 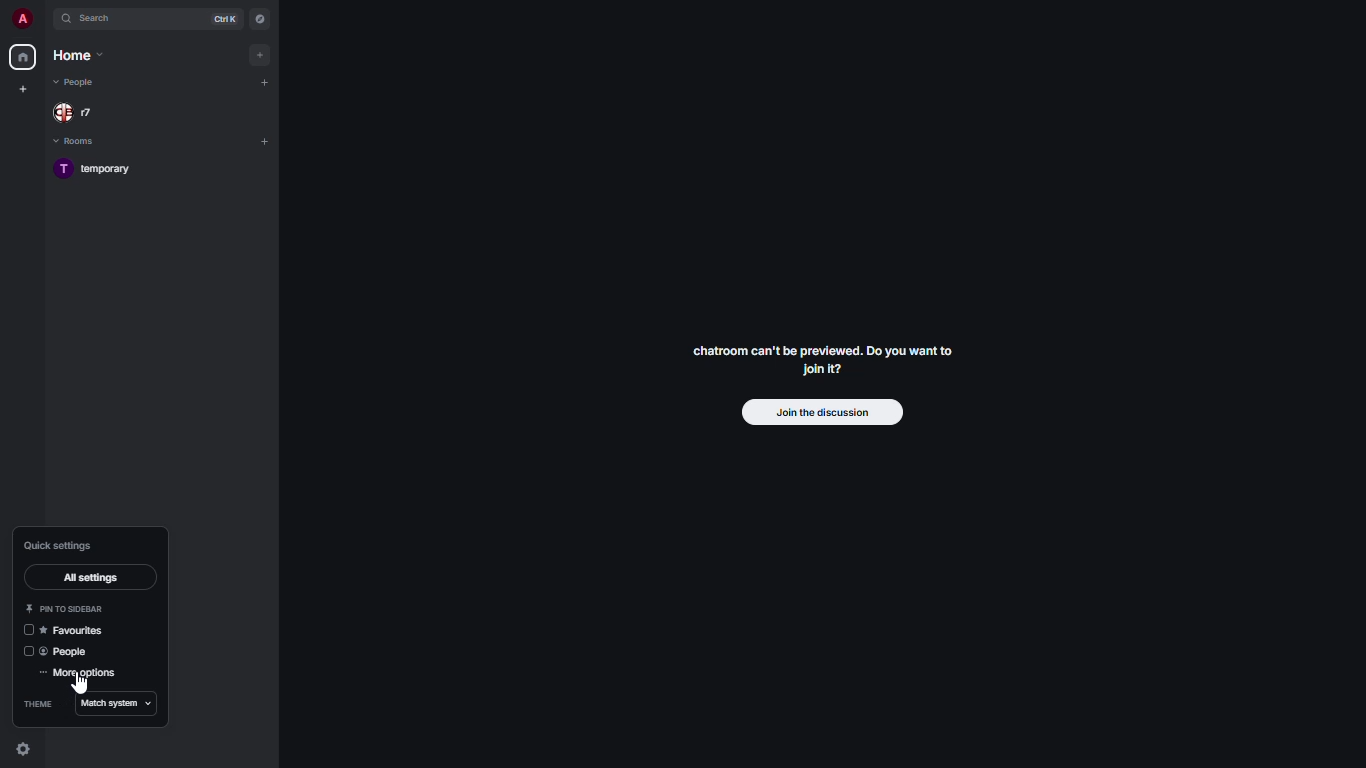 I want to click on add, so click(x=262, y=53).